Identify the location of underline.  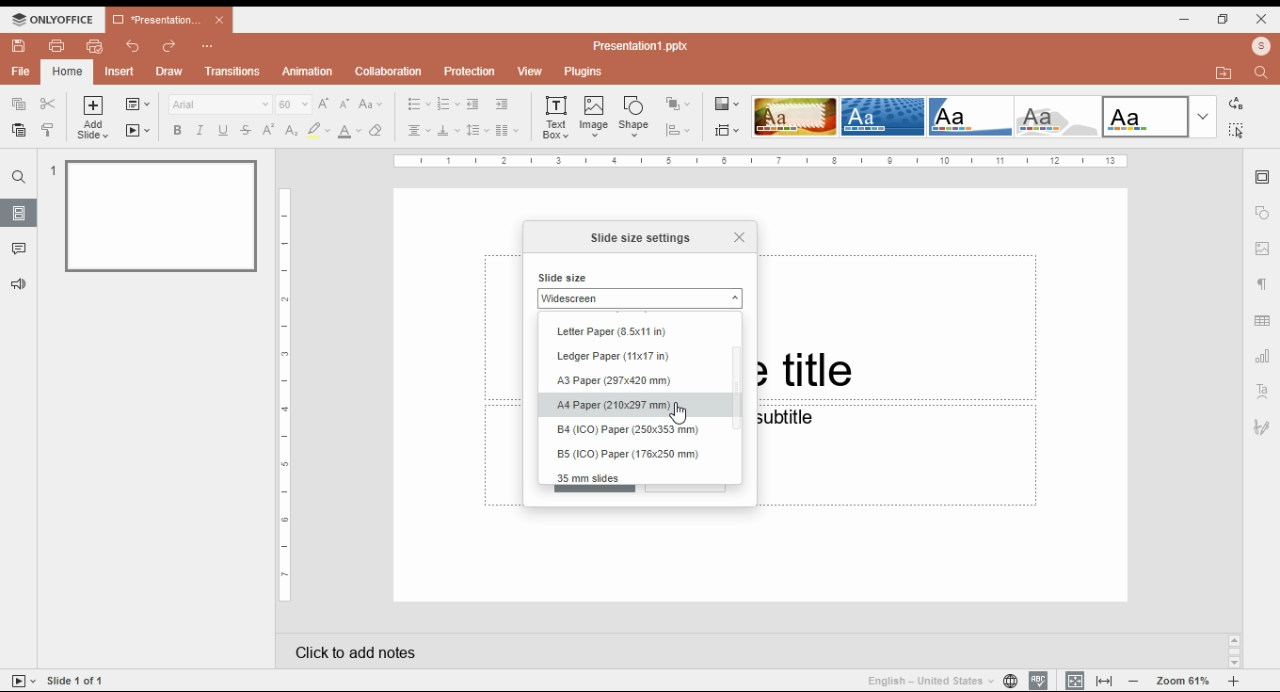
(222, 130).